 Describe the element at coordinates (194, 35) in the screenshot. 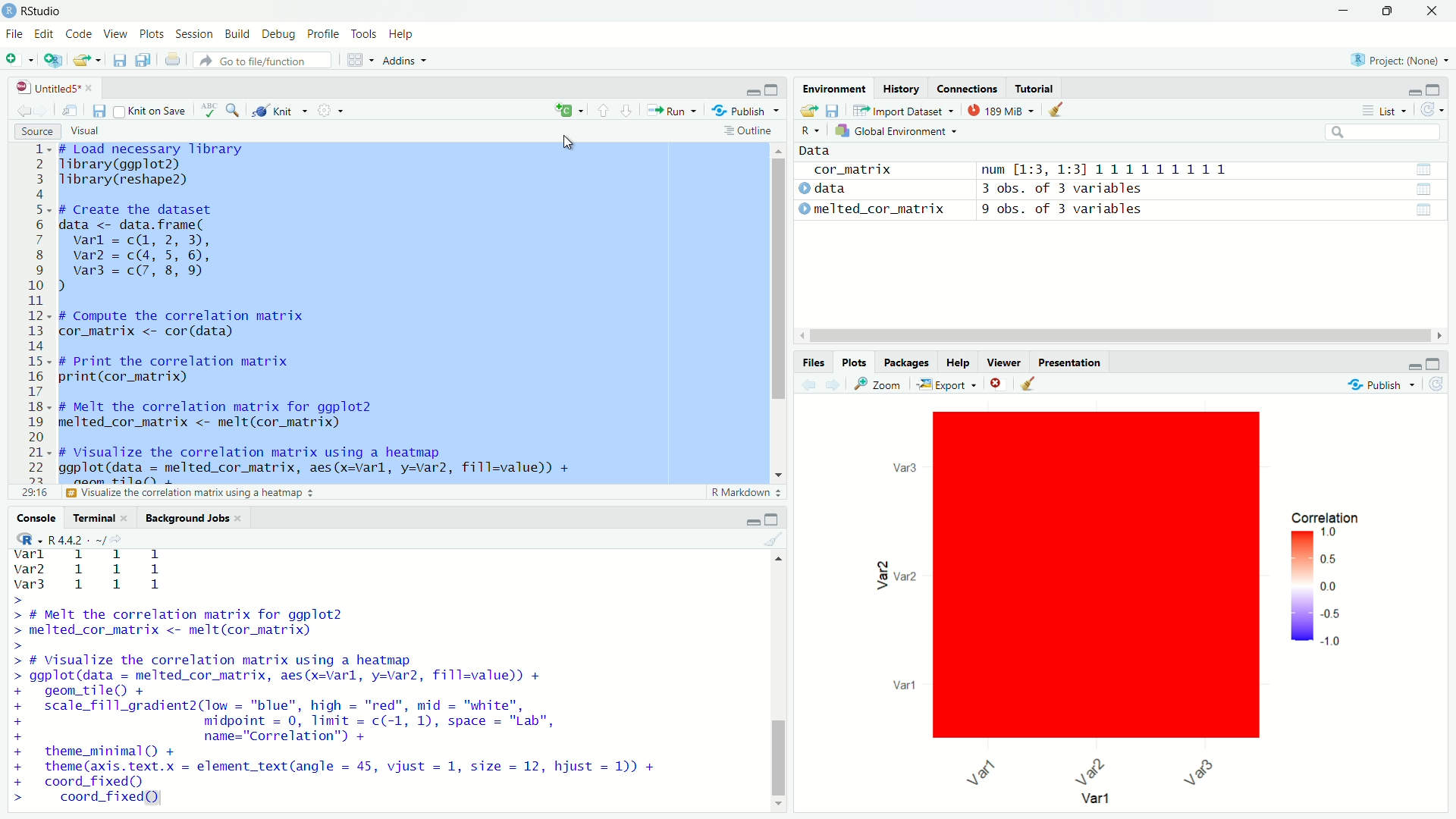

I see `session` at that location.